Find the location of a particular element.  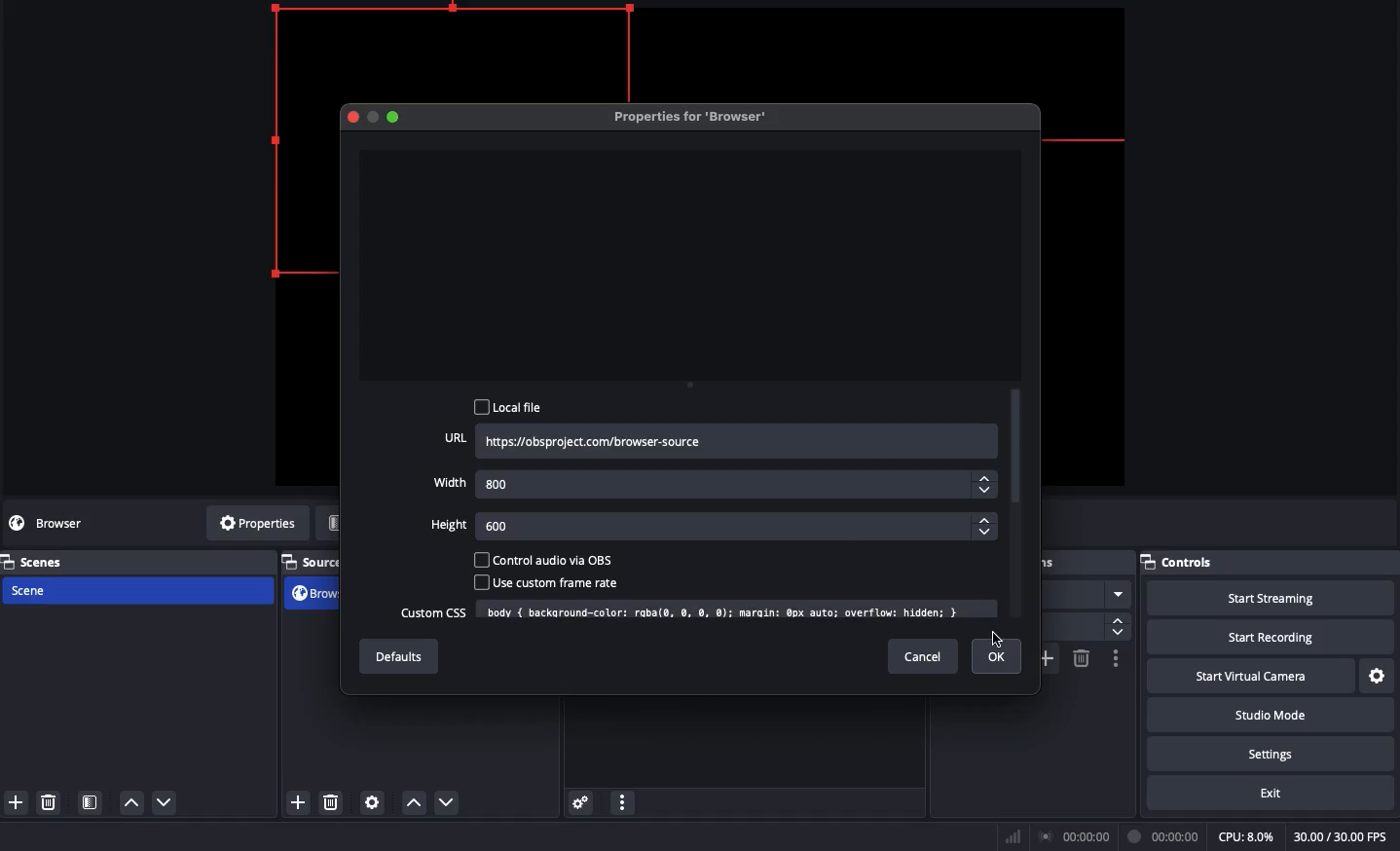

Scene is located at coordinates (137, 591).